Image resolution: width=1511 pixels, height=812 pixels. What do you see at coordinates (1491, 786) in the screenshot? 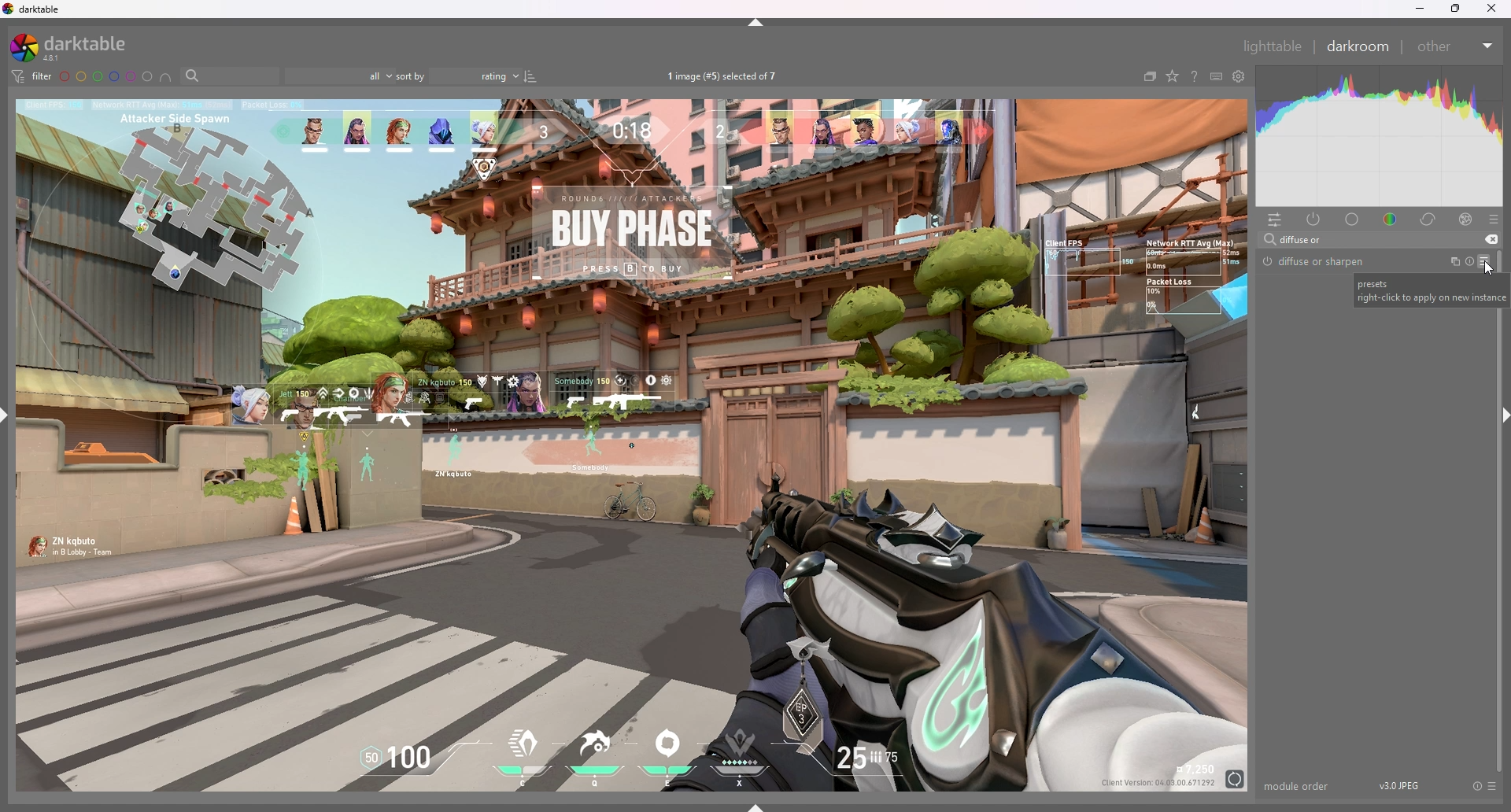
I see `presets` at bounding box center [1491, 786].